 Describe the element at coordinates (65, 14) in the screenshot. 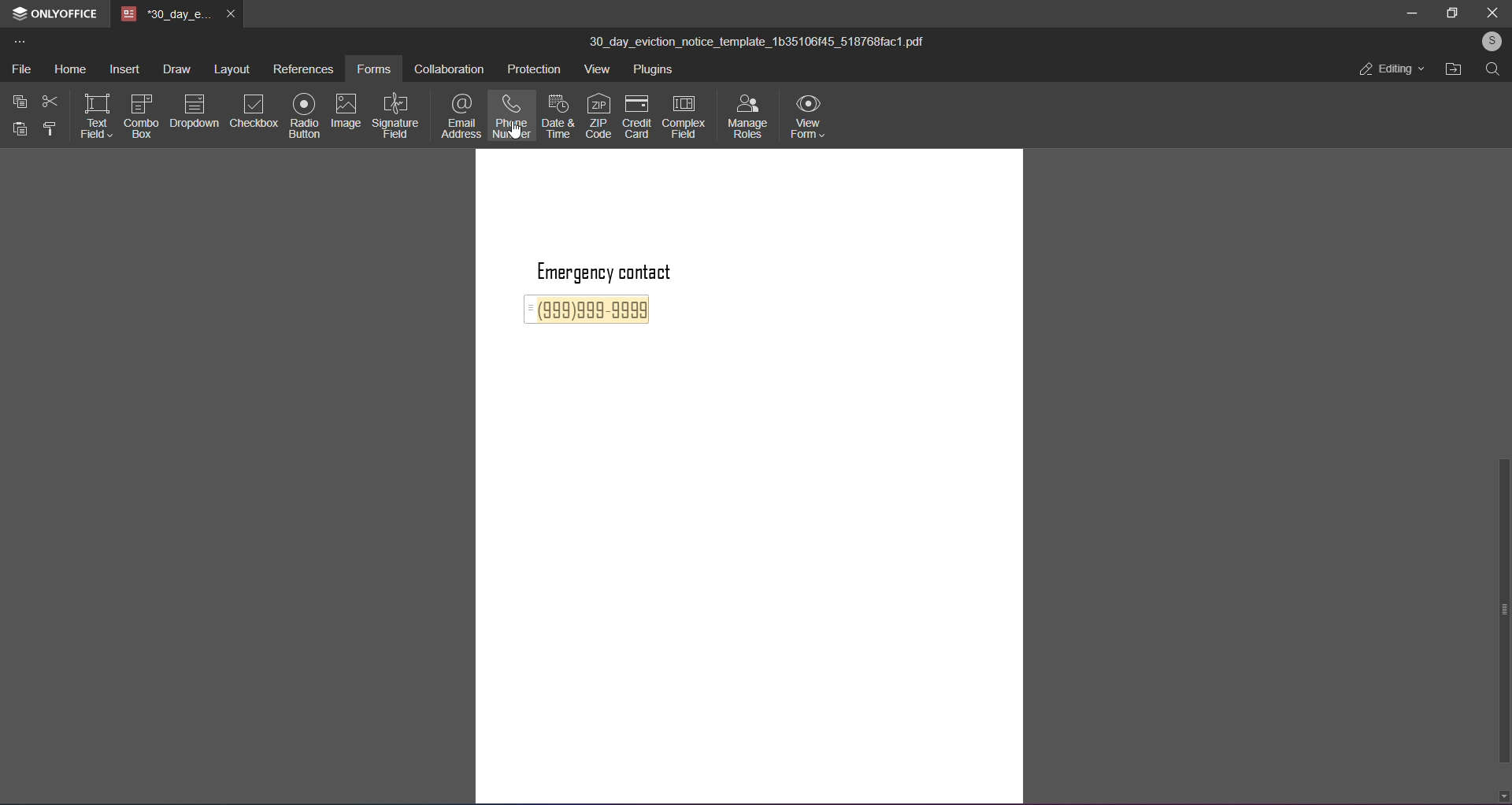

I see `onlyoffice` at that location.